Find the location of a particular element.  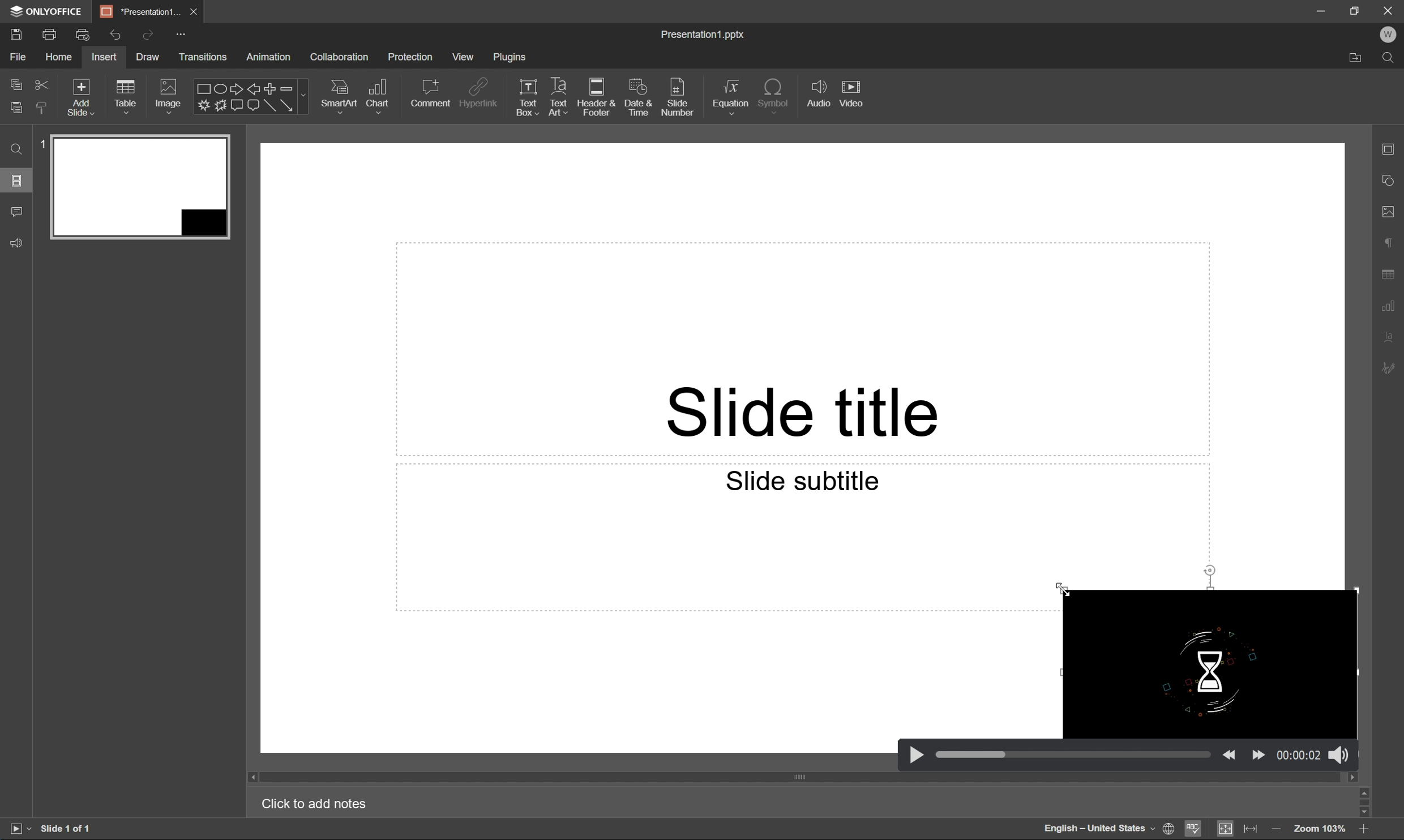

zoom out is located at coordinates (1367, 832).